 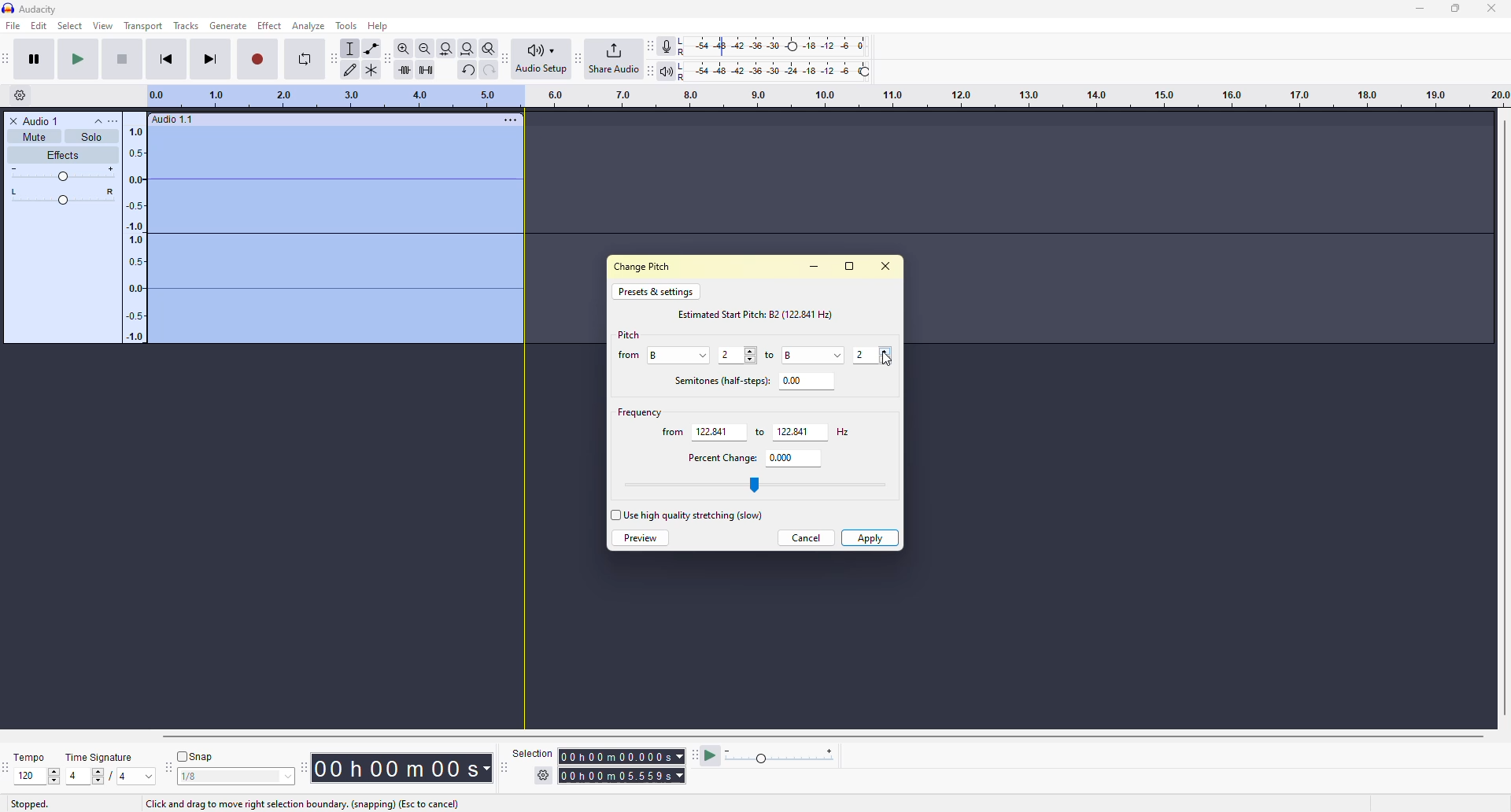 What do you see at coordinates (74, 776) in the screenshot?
I see `4` at bounding box center [74, 776].